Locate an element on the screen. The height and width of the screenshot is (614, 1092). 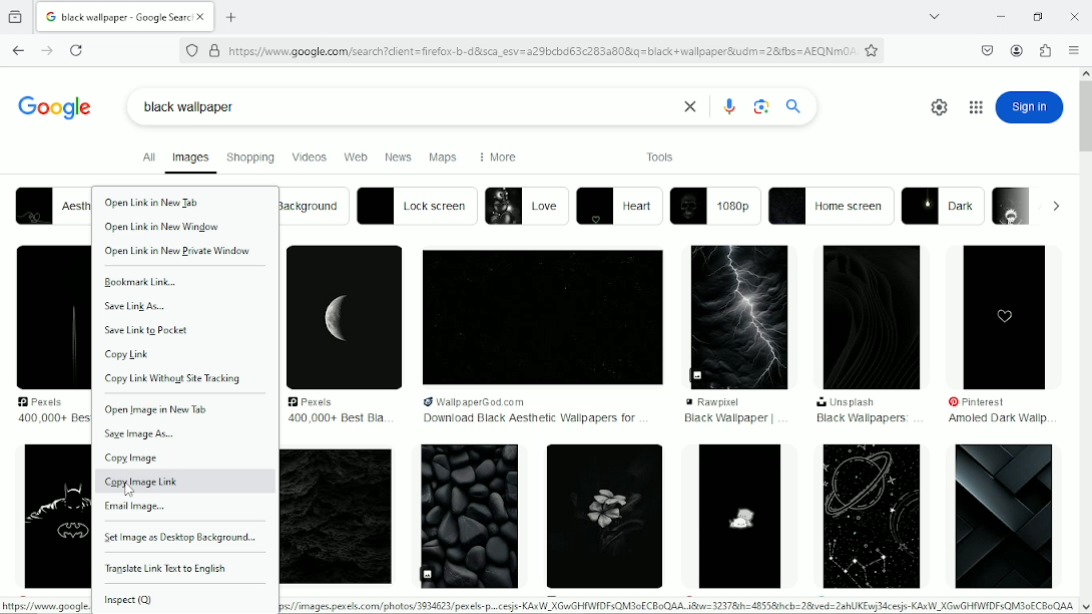
https://www.google.com/search client=firefox-b-d&sca_esv=a29bcbd63 c283a80&q back+wallpaper &udm=2&fbs=aeqnmoa is located at coordinates (541, 51).